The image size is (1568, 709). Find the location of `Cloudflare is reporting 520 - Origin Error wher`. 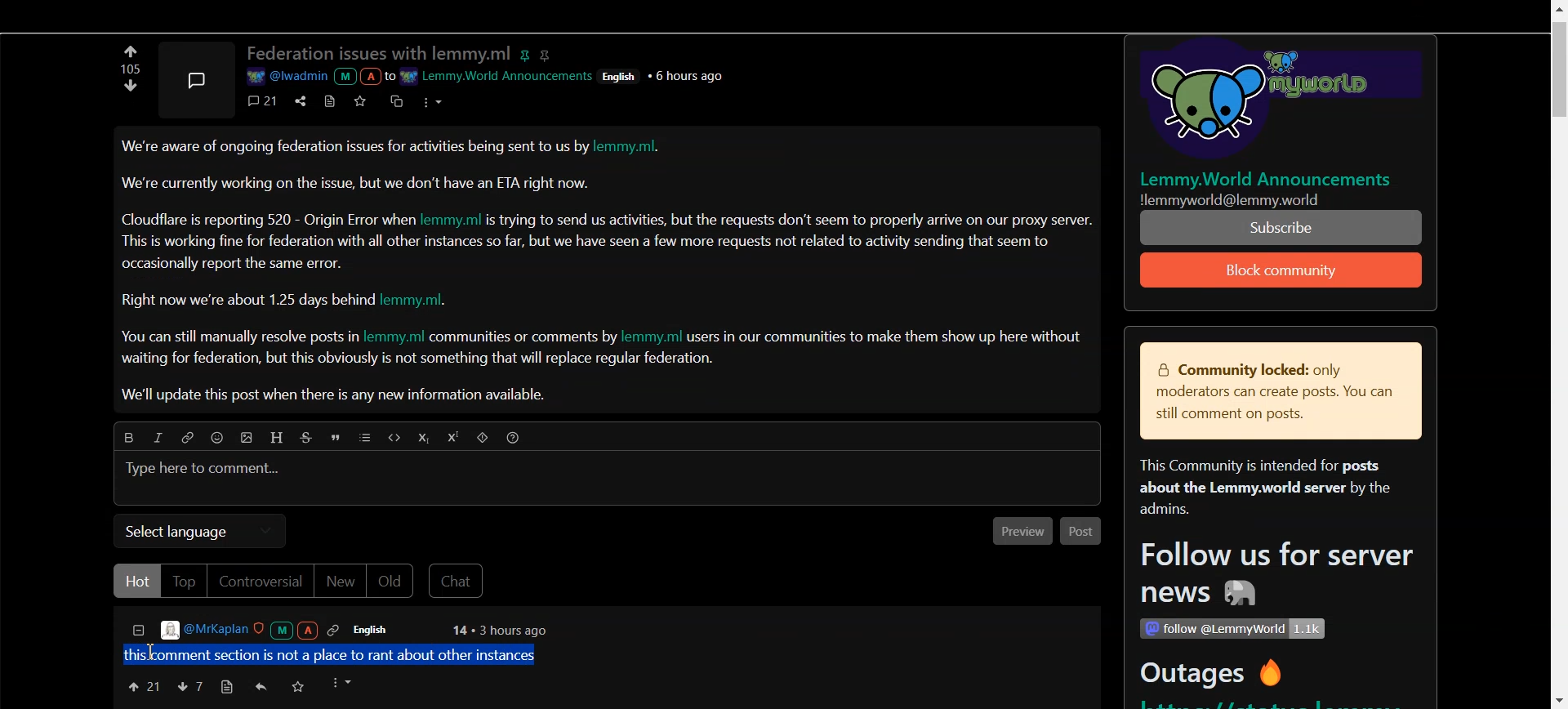

Cloudflare is reporting 520 - Origin Error wher is located at coordinates (269, 219).